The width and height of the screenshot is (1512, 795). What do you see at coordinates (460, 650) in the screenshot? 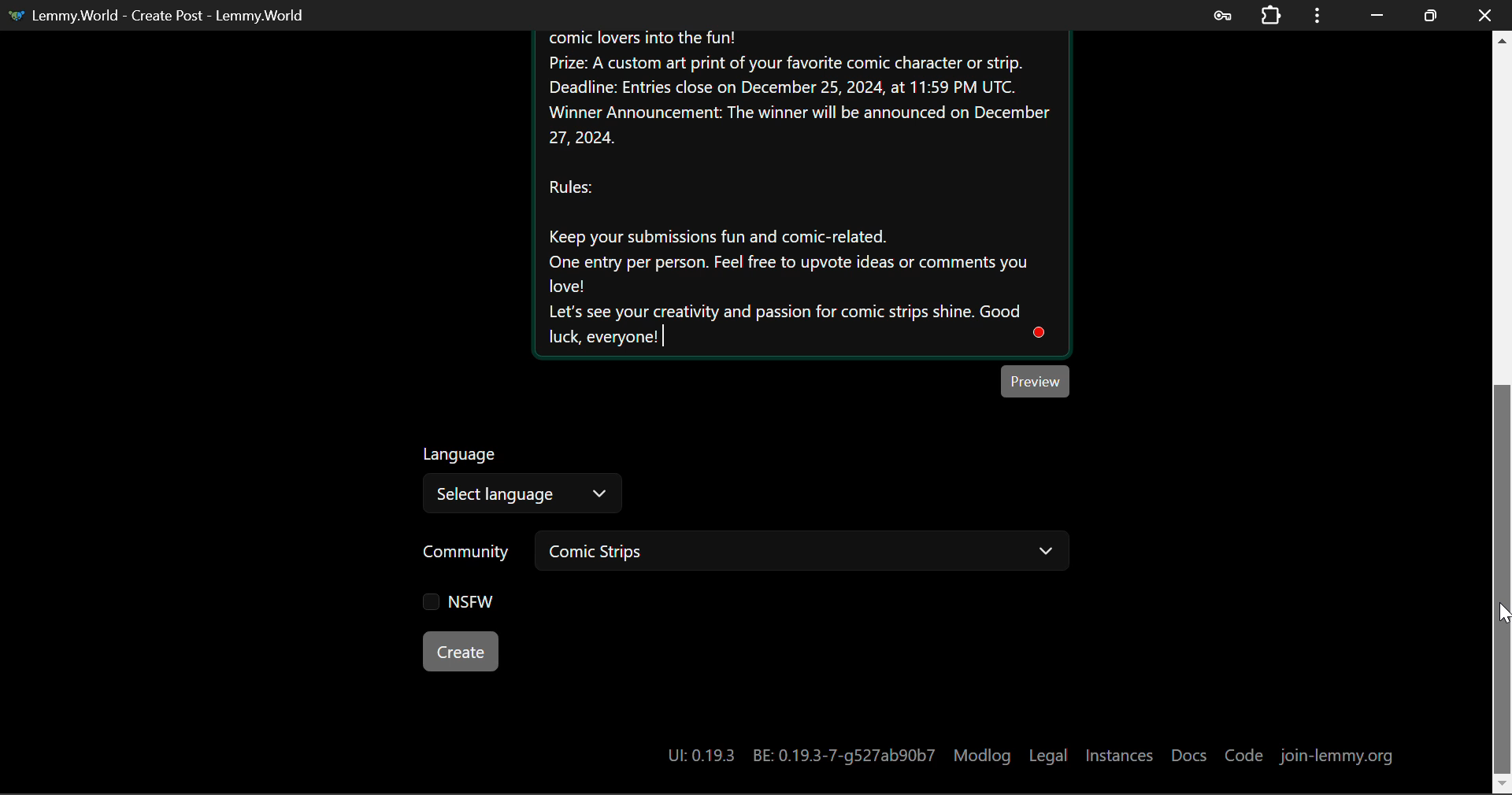
I see `Create` at bounding box center [460, 650].